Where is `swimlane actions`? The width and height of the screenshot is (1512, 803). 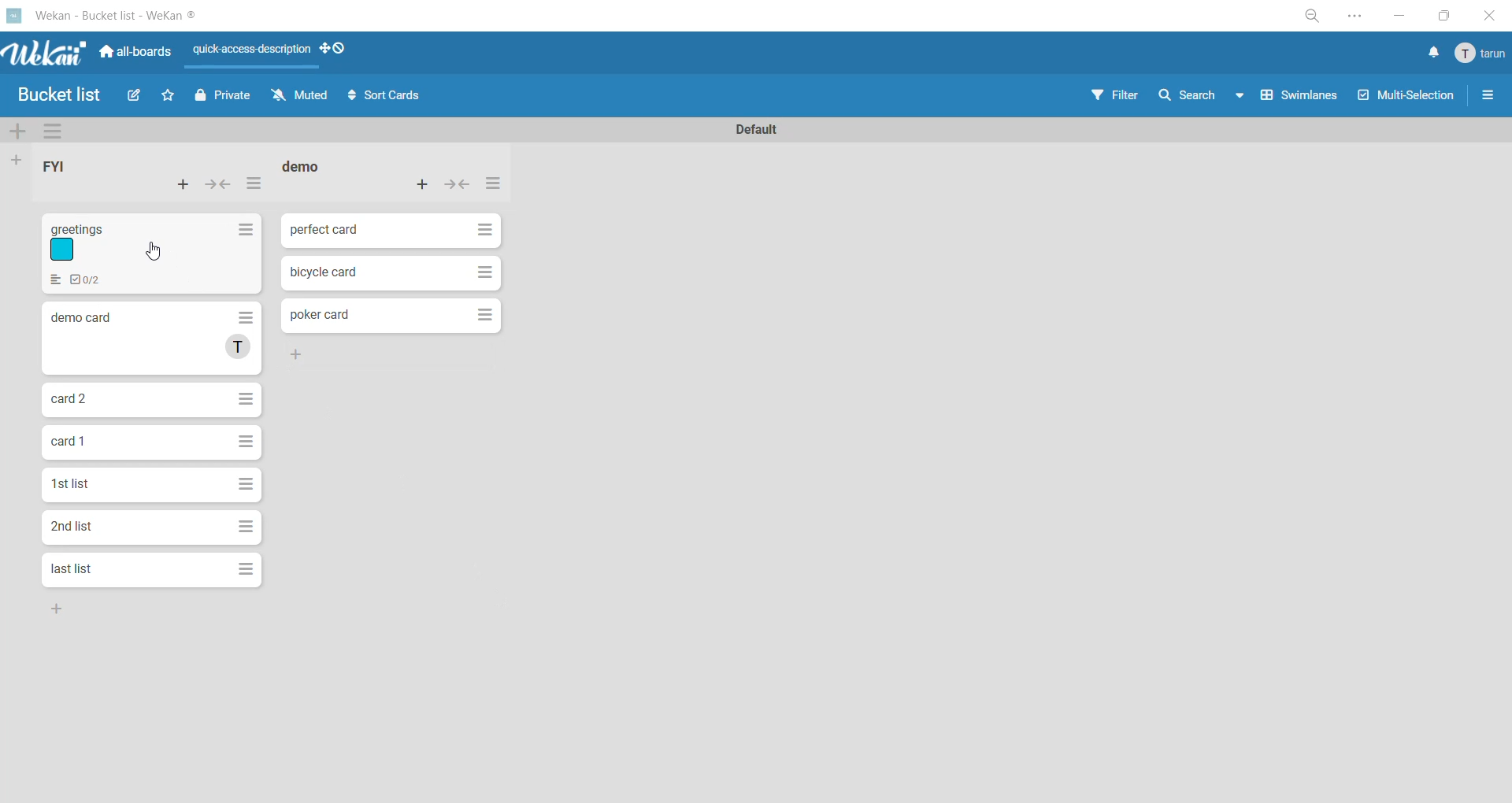 swimlane actions is located at coordinates (50, 132).